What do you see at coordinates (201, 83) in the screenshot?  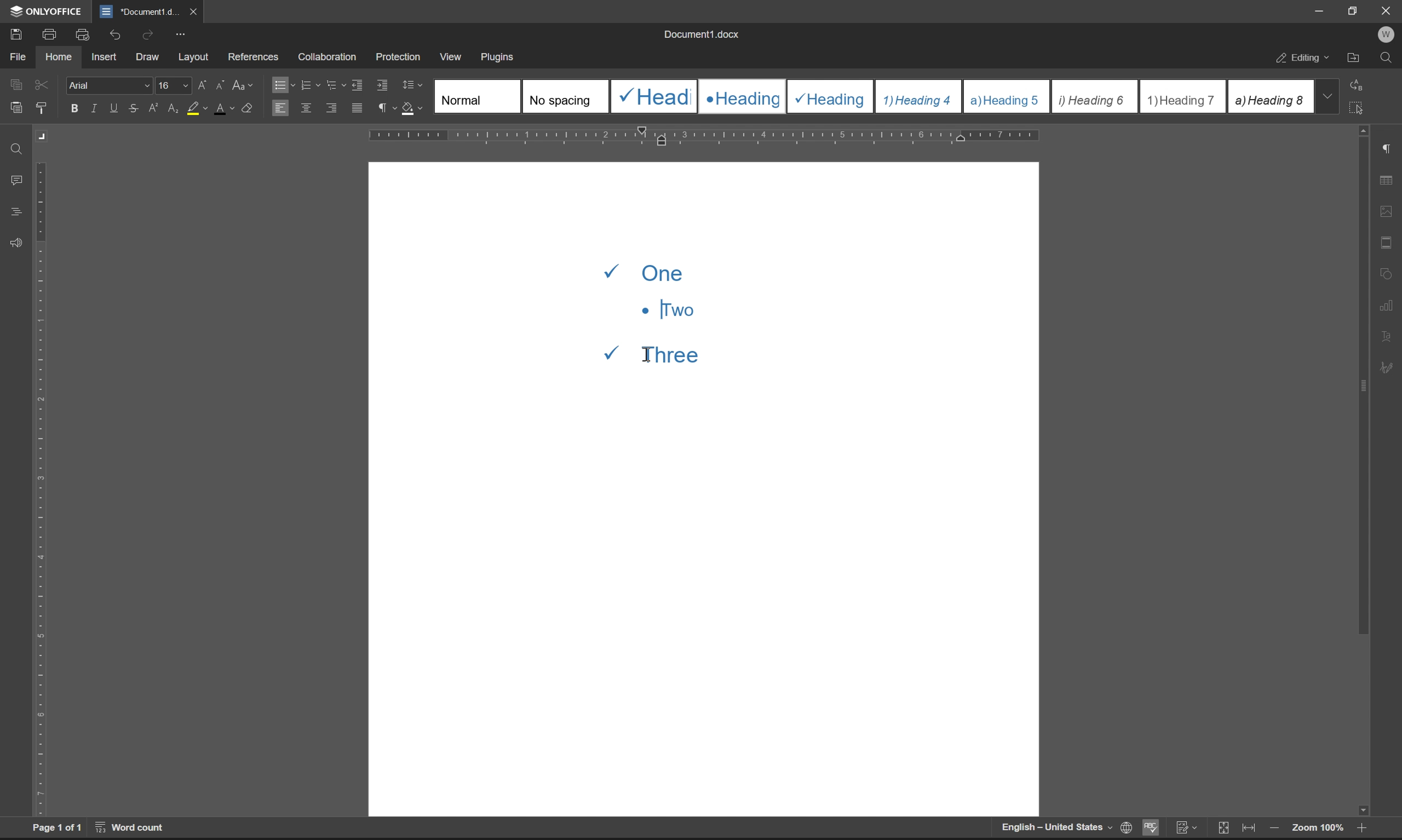 I see `increment font case` at bounding box center [201, 83].